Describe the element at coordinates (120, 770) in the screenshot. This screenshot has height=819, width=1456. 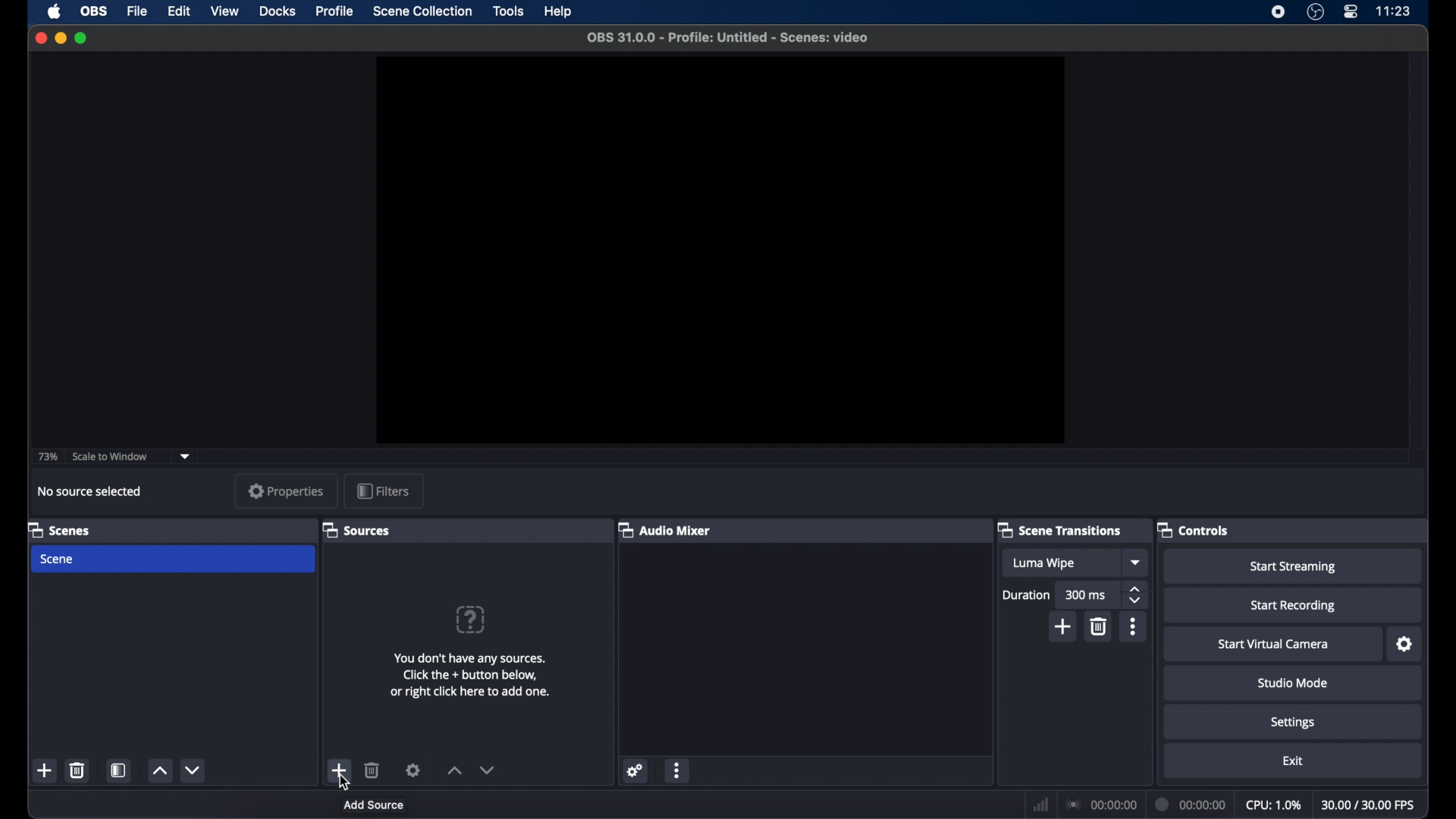
I see `scene filters` at that location.